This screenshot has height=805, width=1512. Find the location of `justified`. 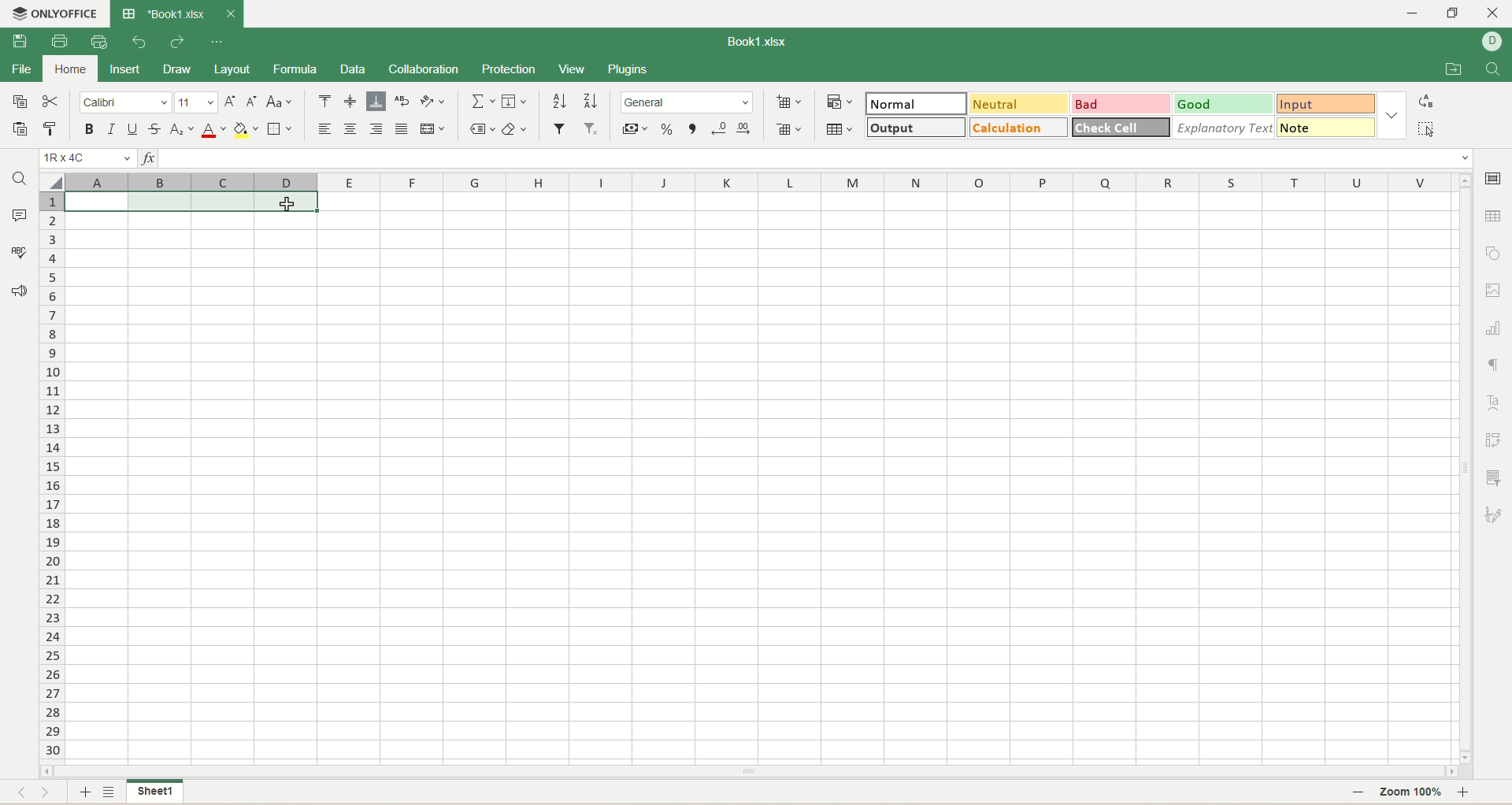

justified is located at coordinates (402, 130).